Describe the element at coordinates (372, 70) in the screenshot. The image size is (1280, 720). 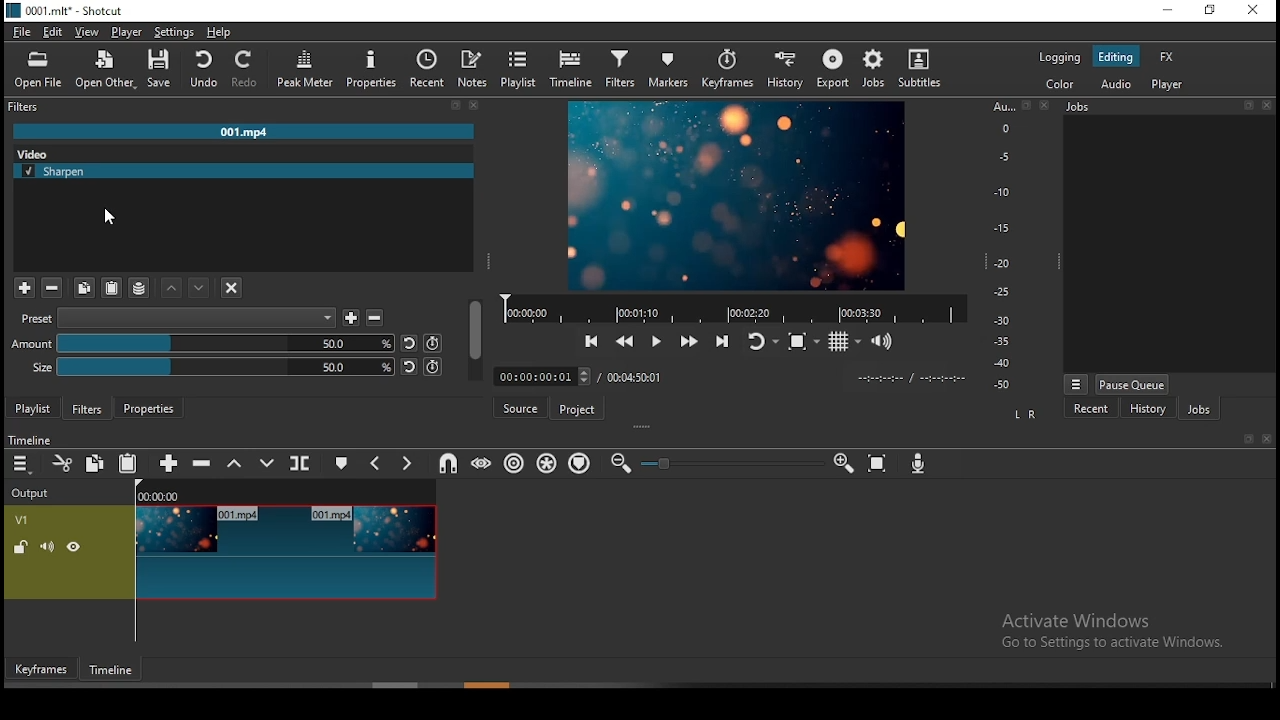
I see `properties` at that location.